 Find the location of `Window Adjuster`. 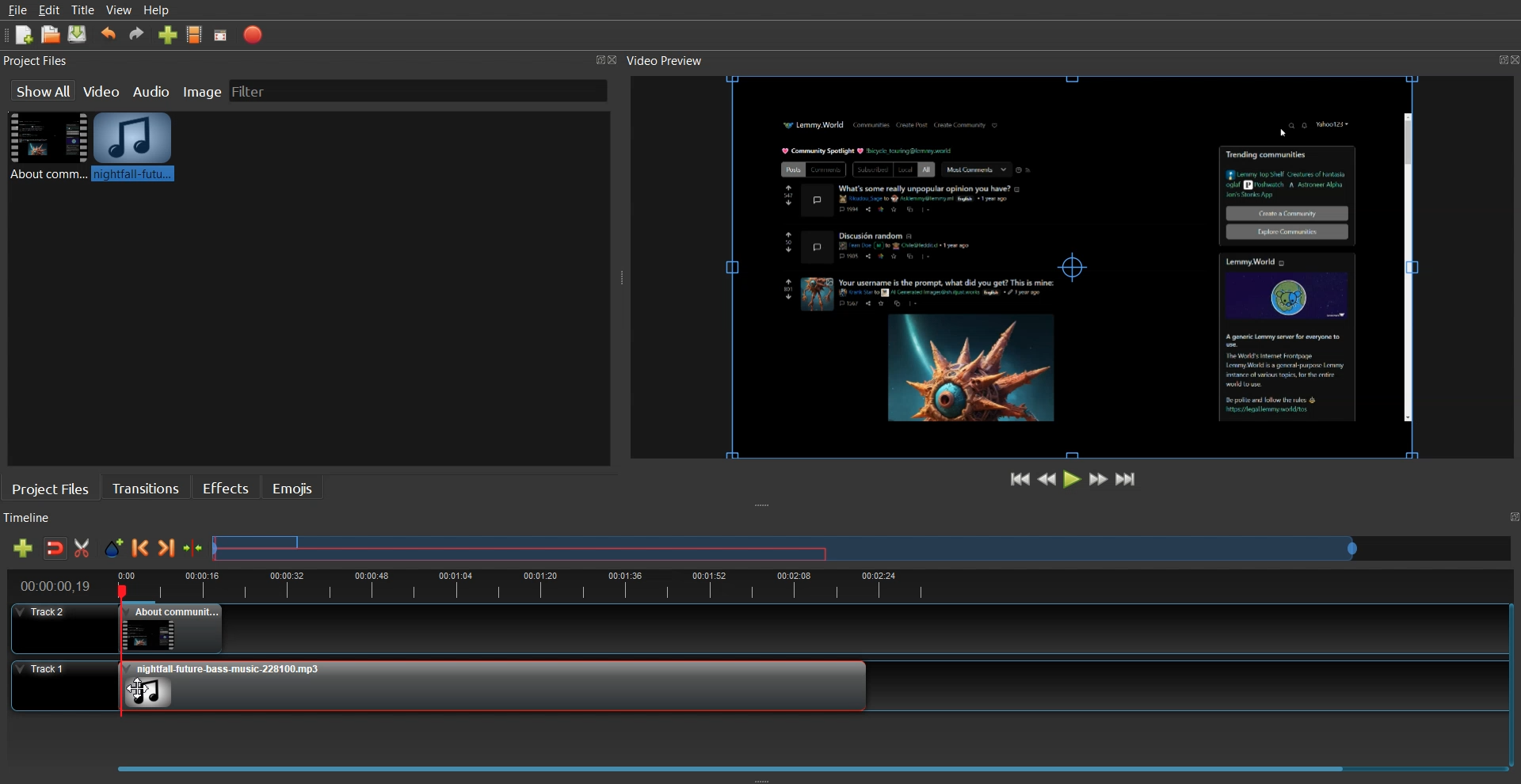

Window Adjuster is located at coordinates (622, 281).